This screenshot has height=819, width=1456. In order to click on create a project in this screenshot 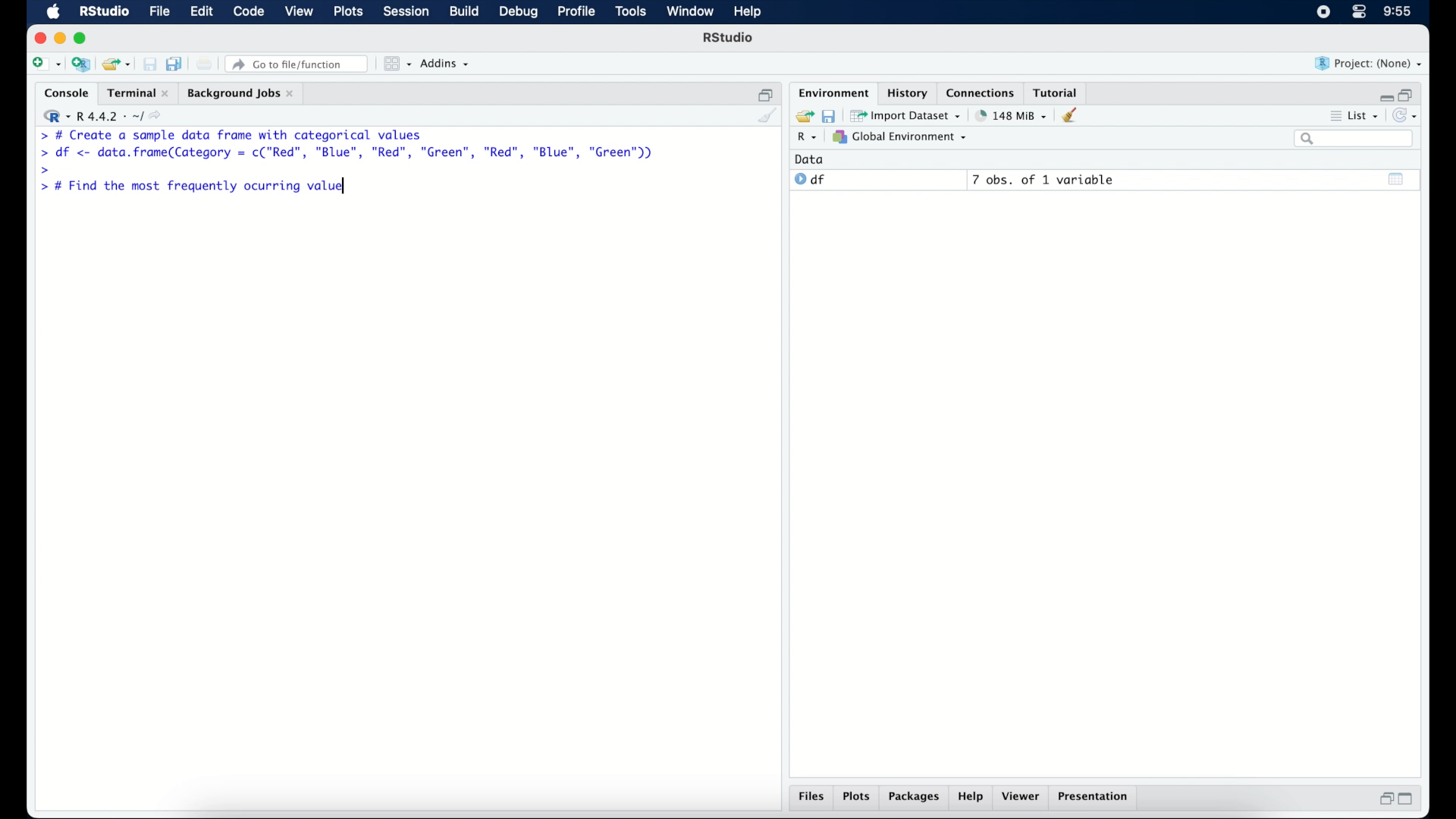, I will do `click(82, 64)`.